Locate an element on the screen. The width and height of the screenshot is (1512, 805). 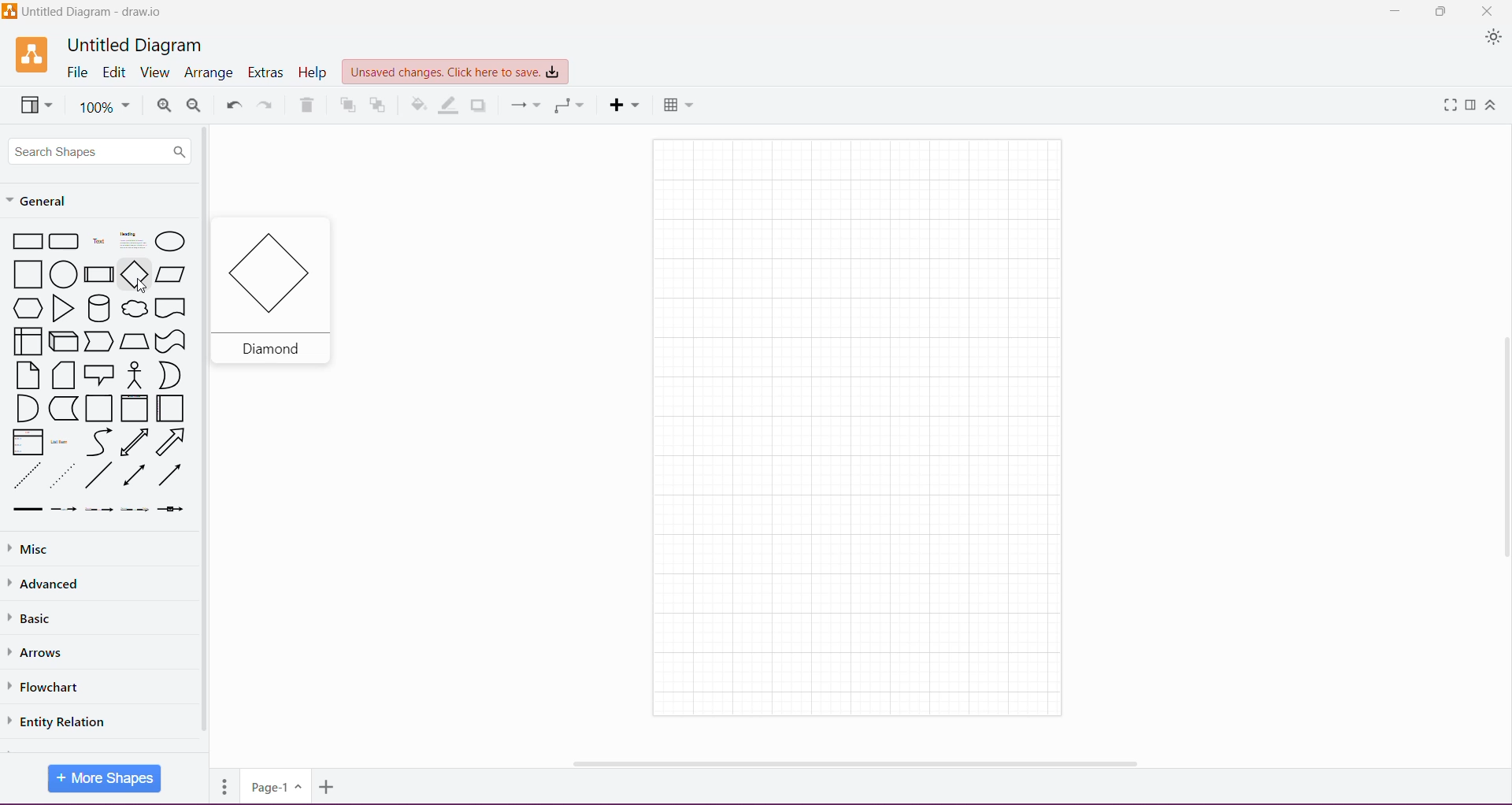
Fullscreen is located at coordinates (1450, 106).